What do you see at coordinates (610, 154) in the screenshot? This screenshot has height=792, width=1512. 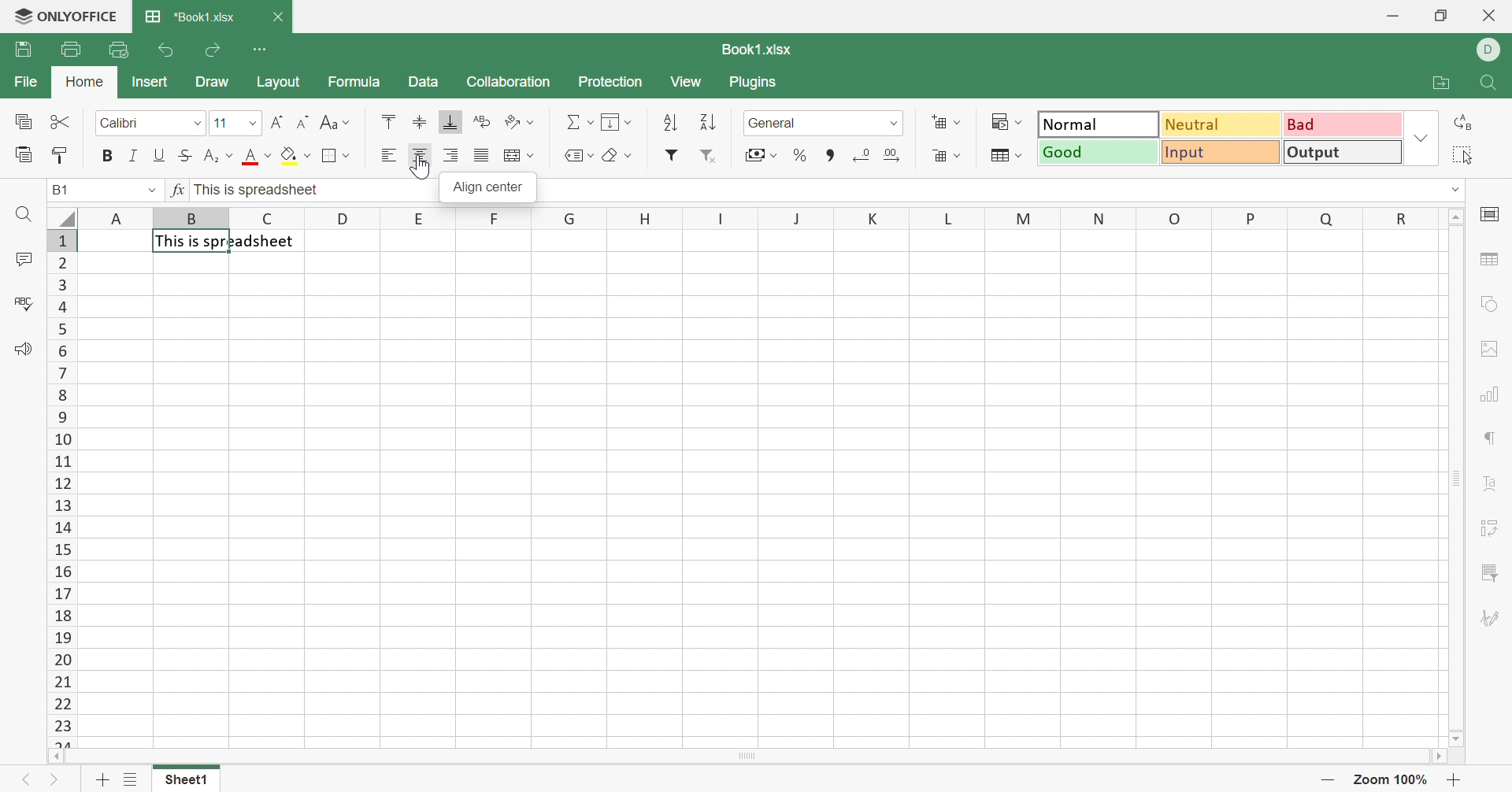 I see `Clear` at bounding box center [610, 154].